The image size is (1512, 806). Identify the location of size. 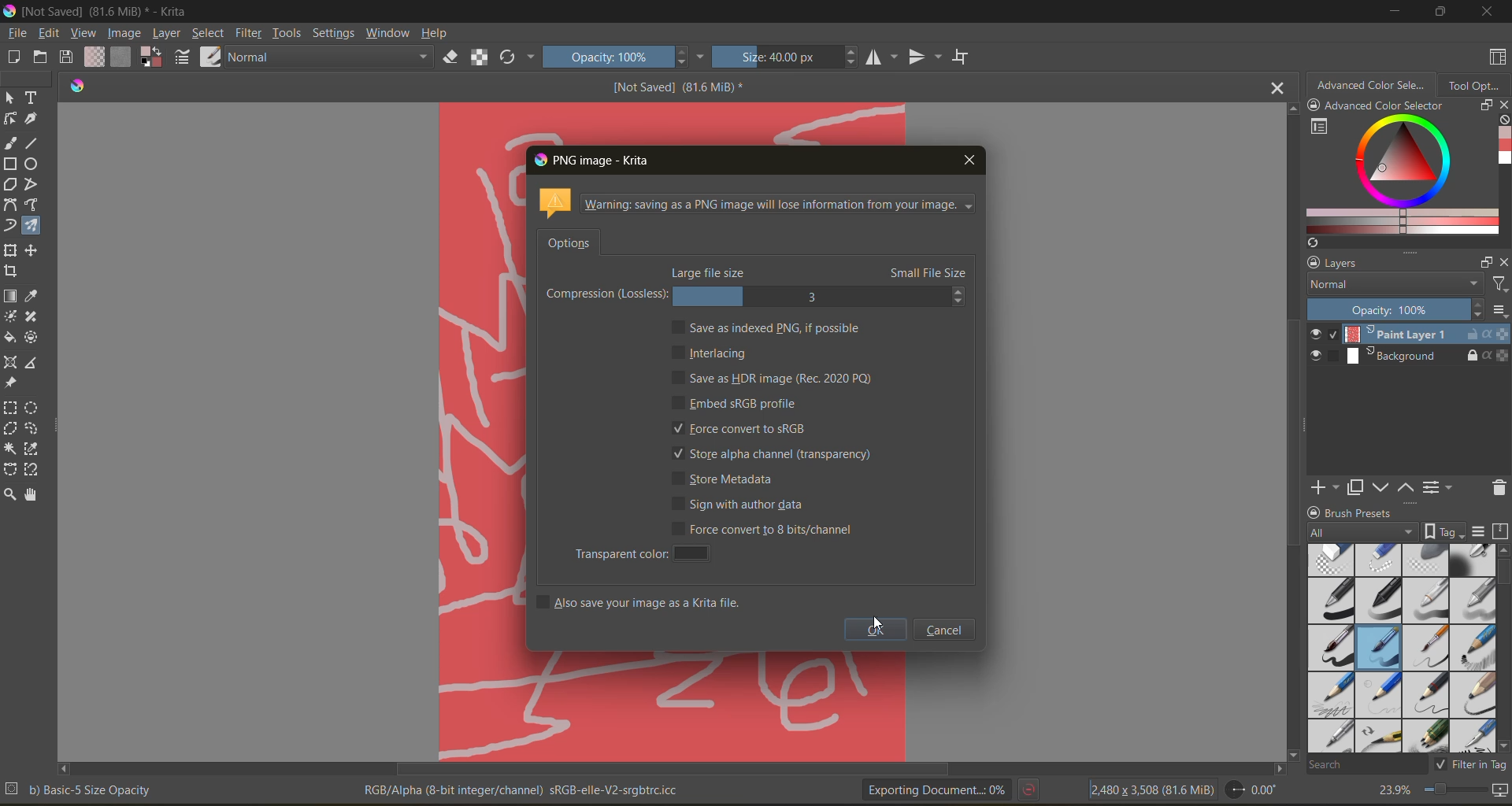
(784, 57).